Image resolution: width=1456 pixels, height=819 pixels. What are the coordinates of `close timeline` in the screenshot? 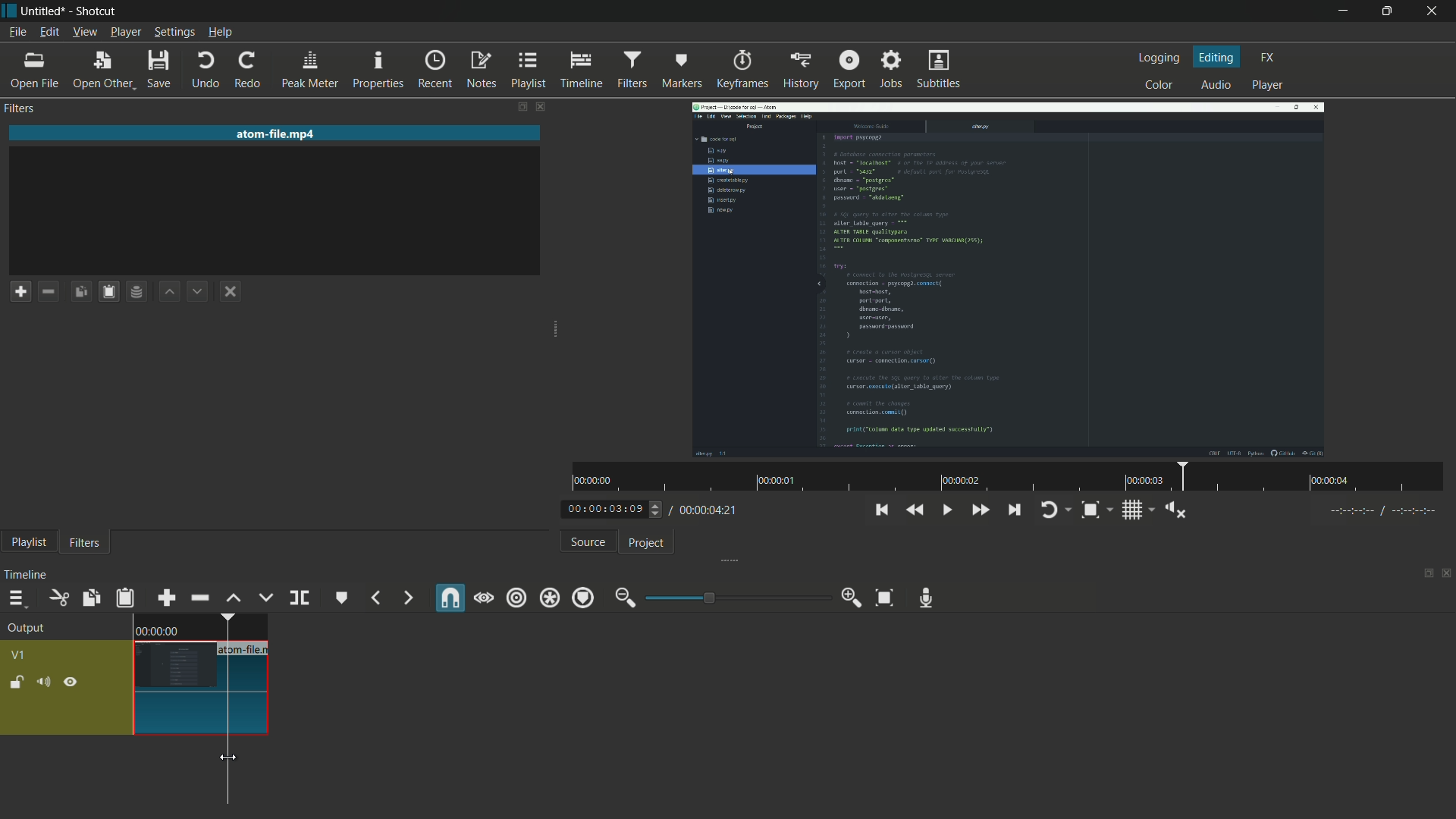 It's located at (1447, 574).